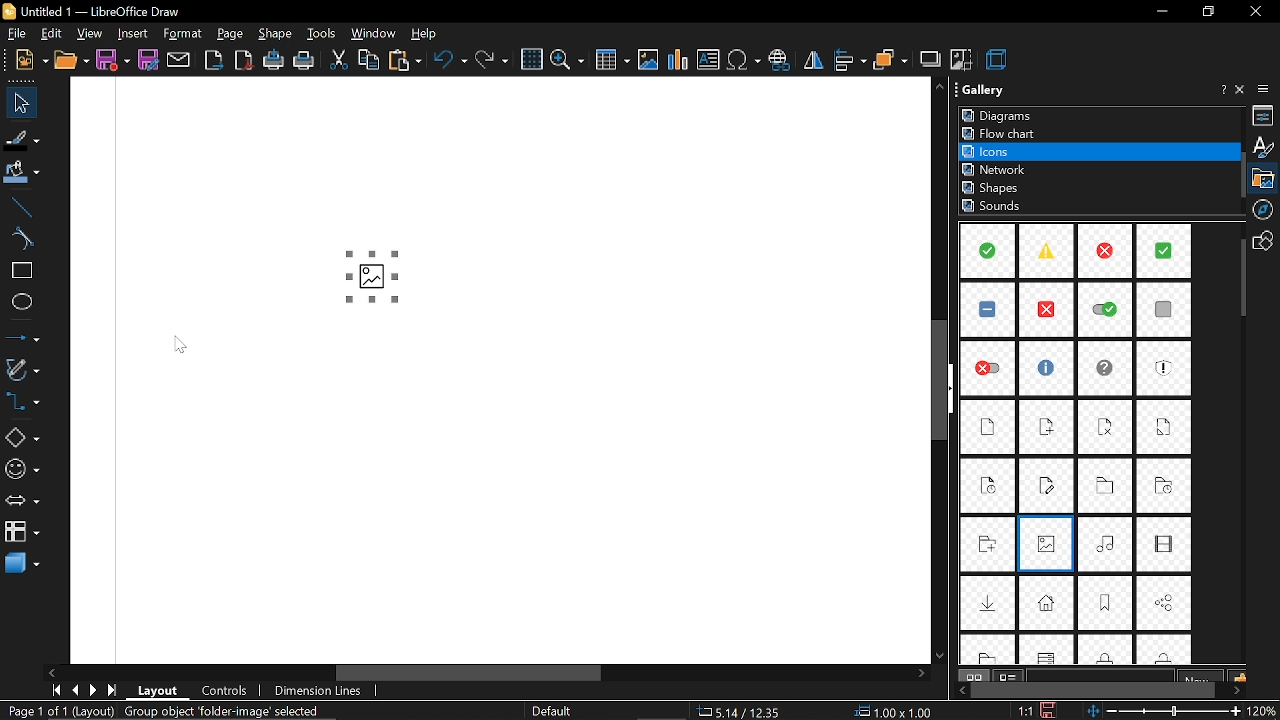  What do you see at coordinates (244, 59) in the screenshot?
I see `export as pdf` at bounding box center [244, 59].